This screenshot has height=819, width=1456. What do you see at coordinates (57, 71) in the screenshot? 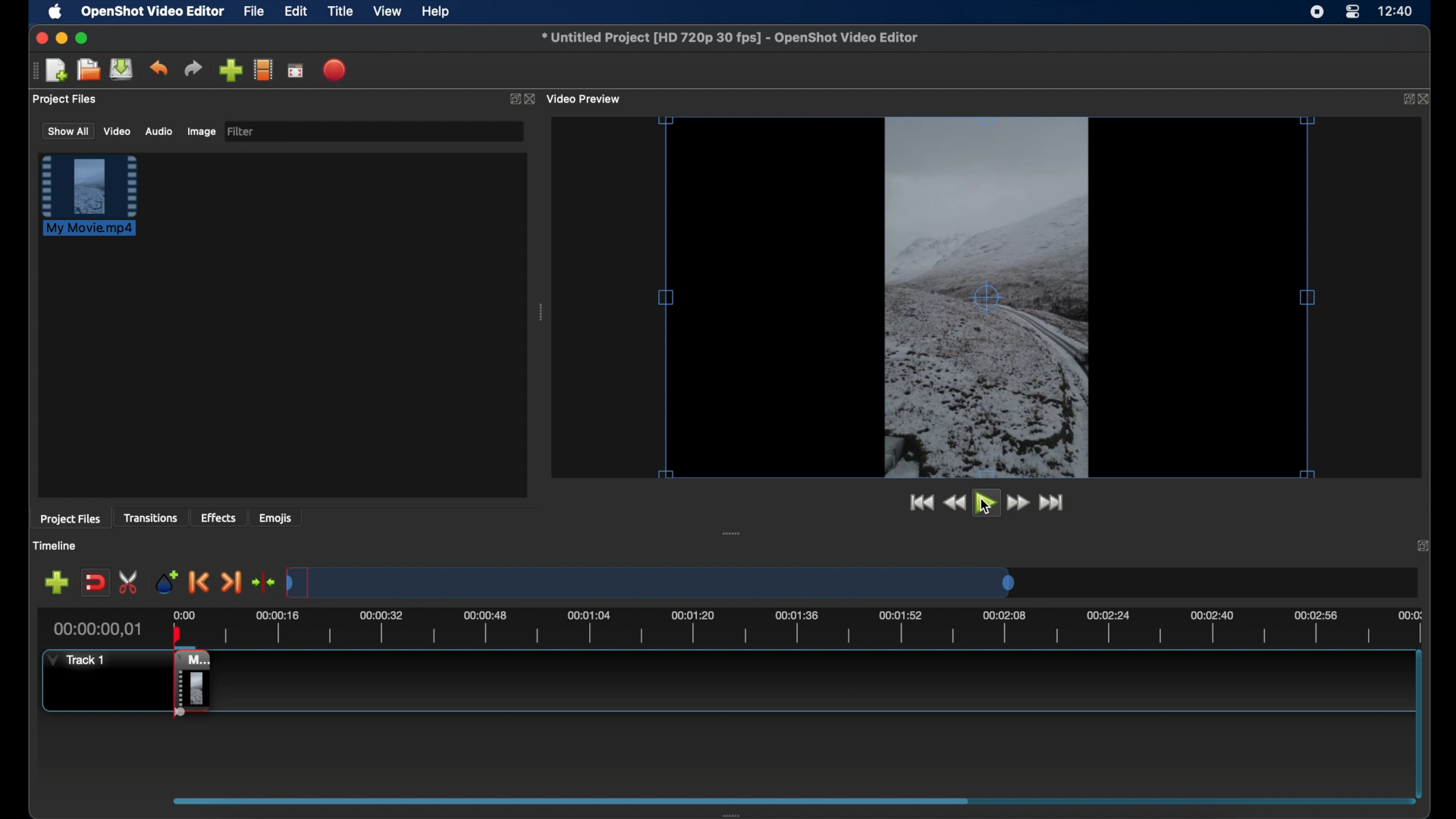
I see `new project` at bounding box center [57, 71].